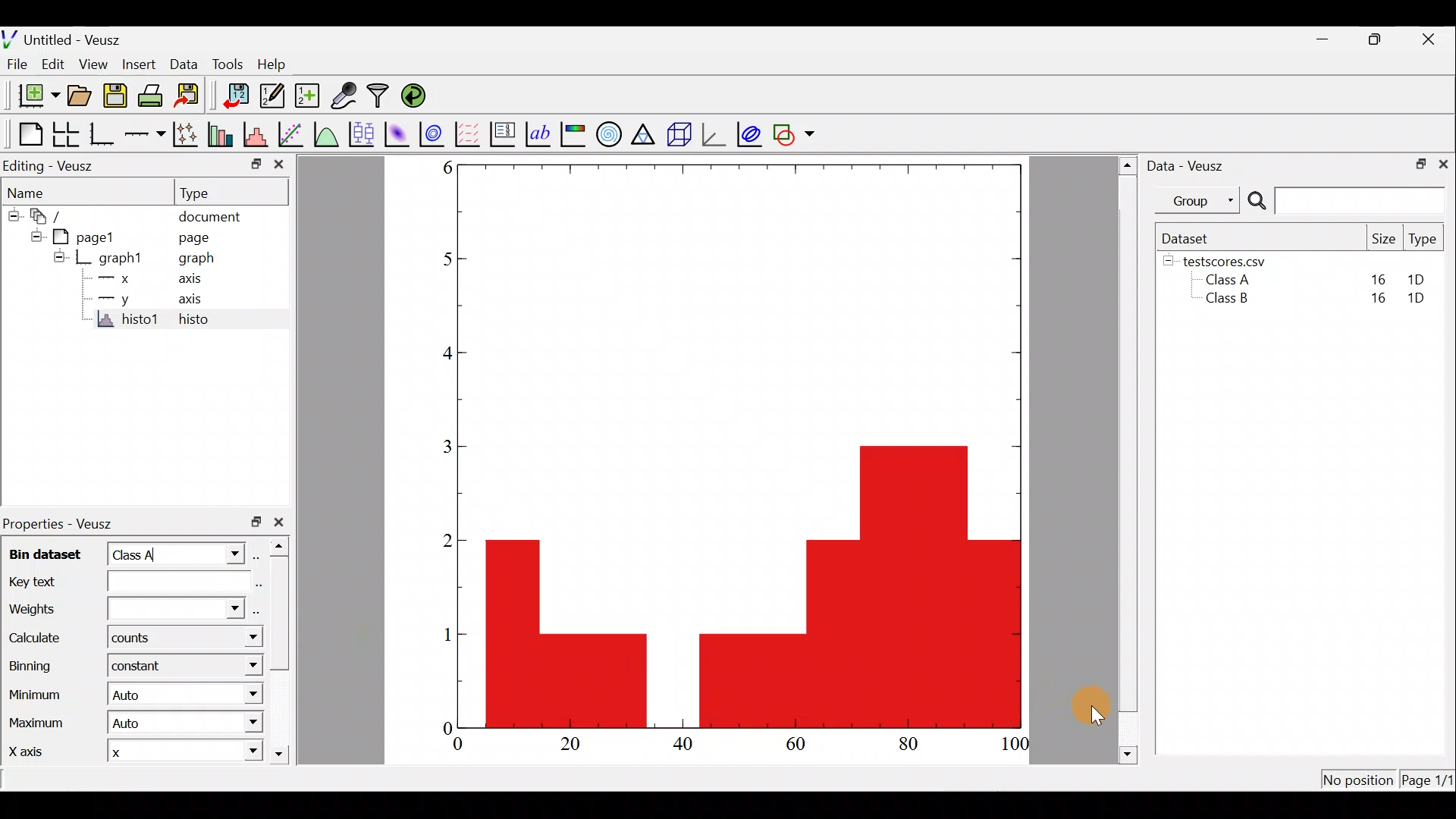 Image resolution: width=1456 pixels, height=819 pixels. What do you see at coordinates (305, 95) in the screenshot?
I see `Create new dataset using ranges, parametrically, or as functions of existing datasets.` at bounding box center [305, 95].